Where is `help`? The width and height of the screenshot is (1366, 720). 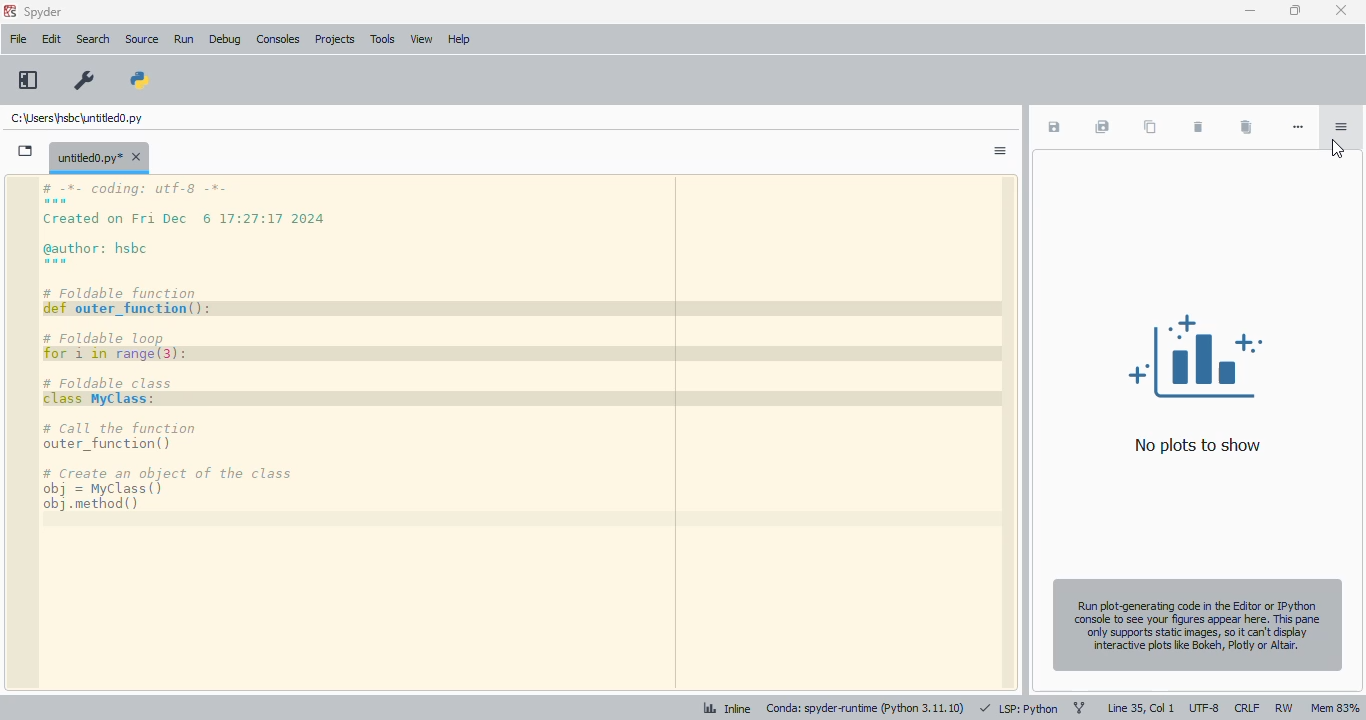
help is located at coordinates (458, 39).